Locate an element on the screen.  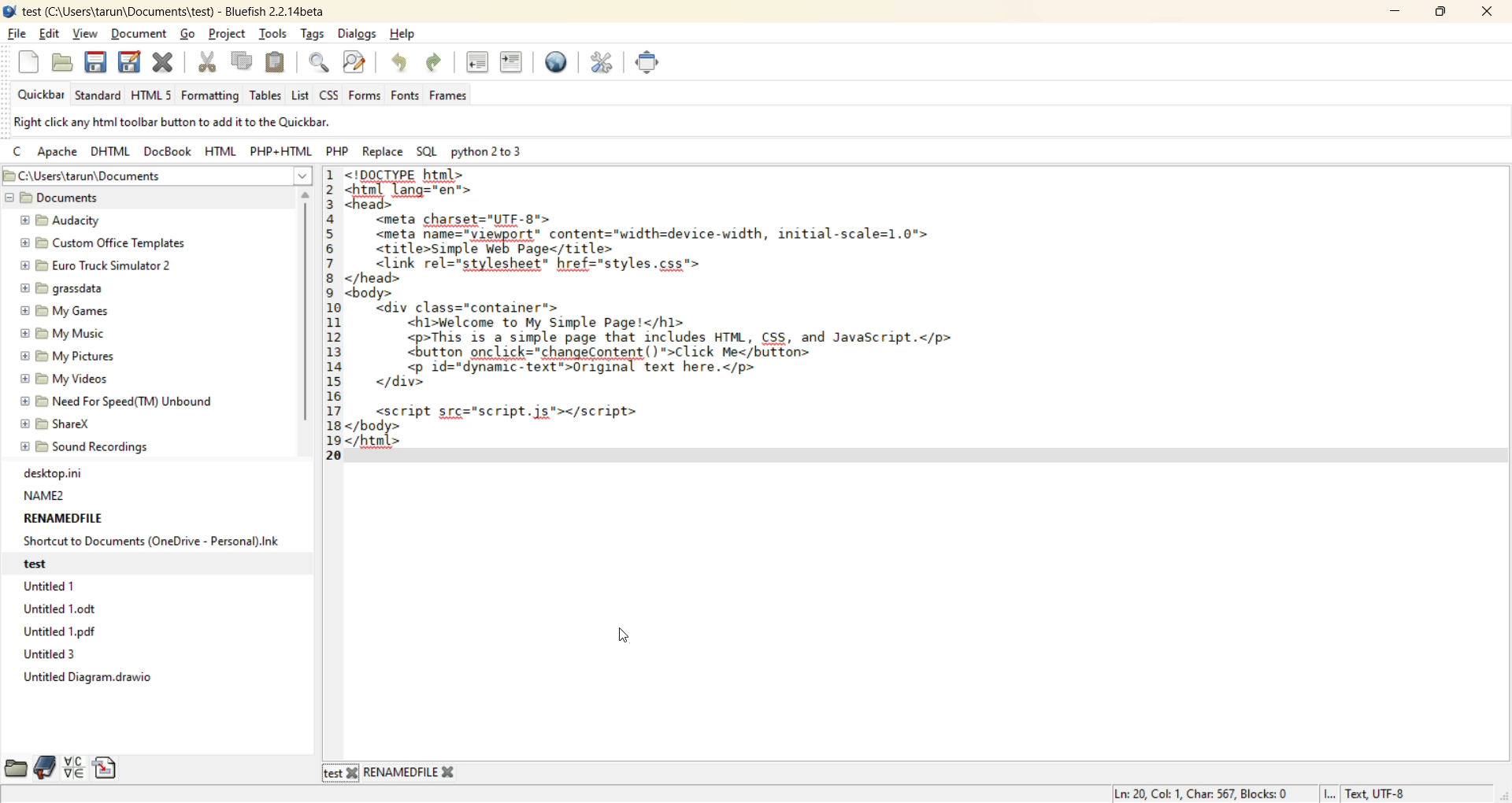
find and replace is located at coordinates (358, 62).